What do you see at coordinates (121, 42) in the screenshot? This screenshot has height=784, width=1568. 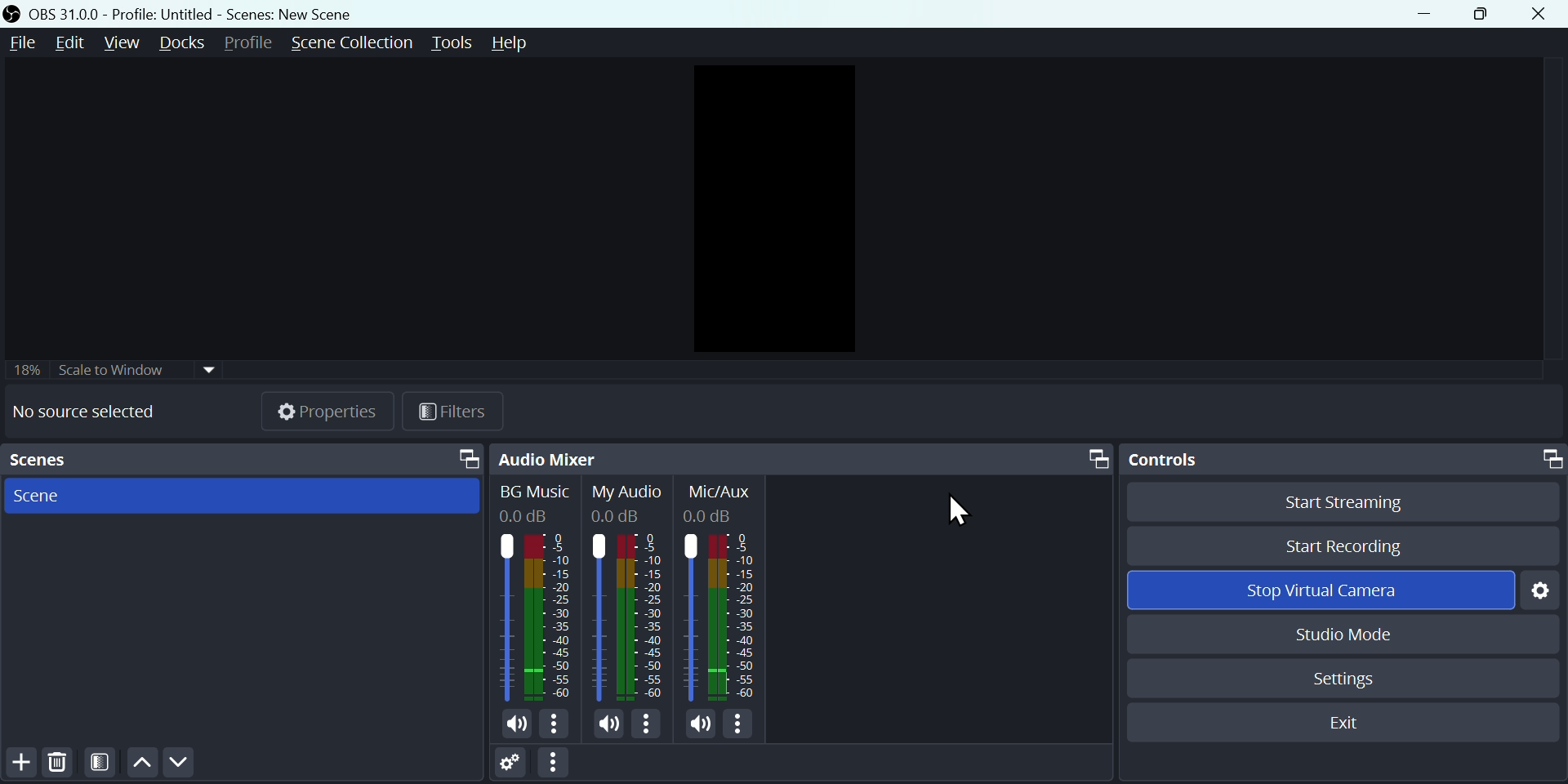 I see `View` at bounding box center [121, 42].